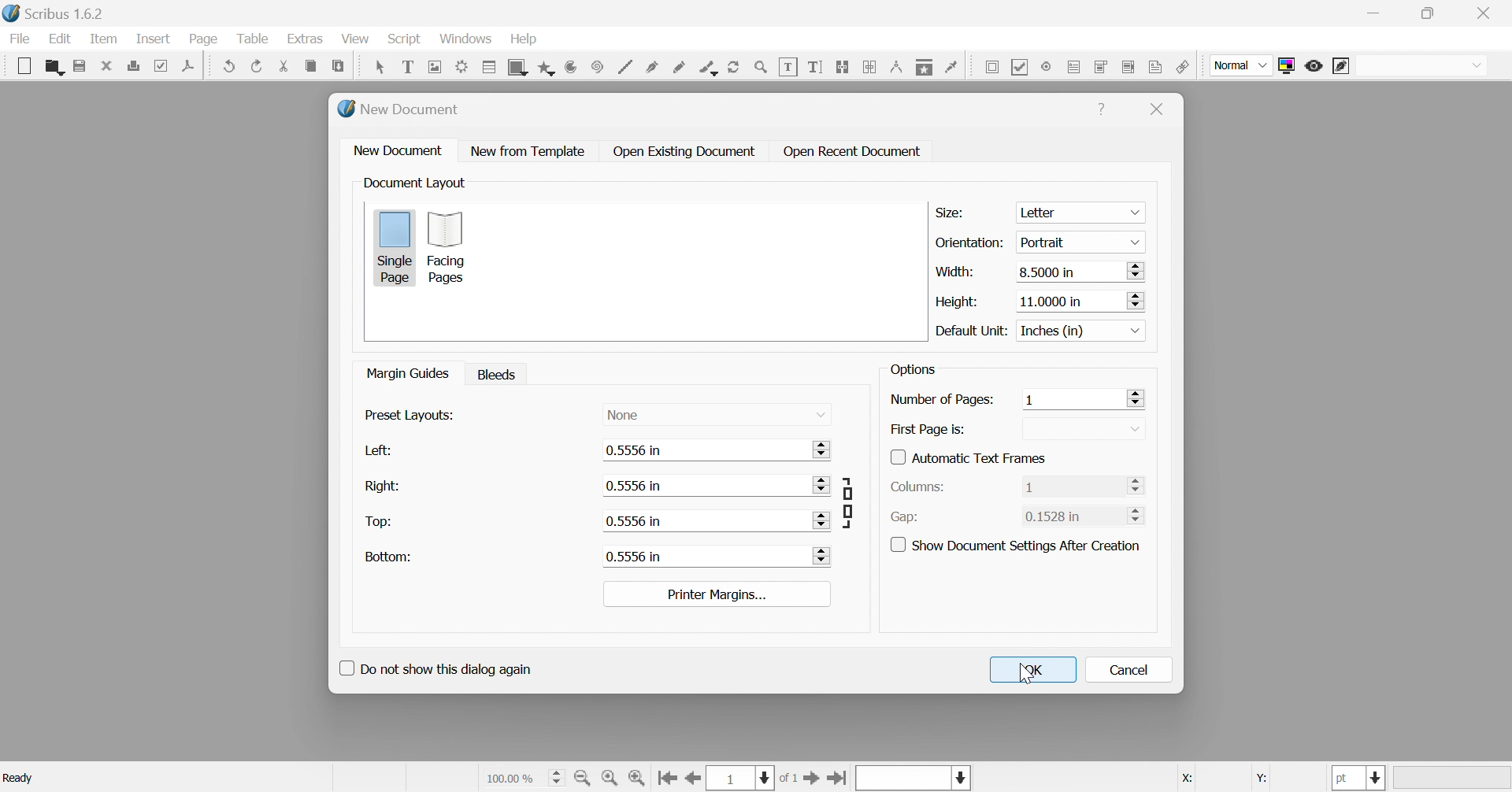 This screenshot has height=792, width=1512. What do you see at coordinates (338, 65) in the screenshot?
I see `paste` at bounding box center [338, 65].